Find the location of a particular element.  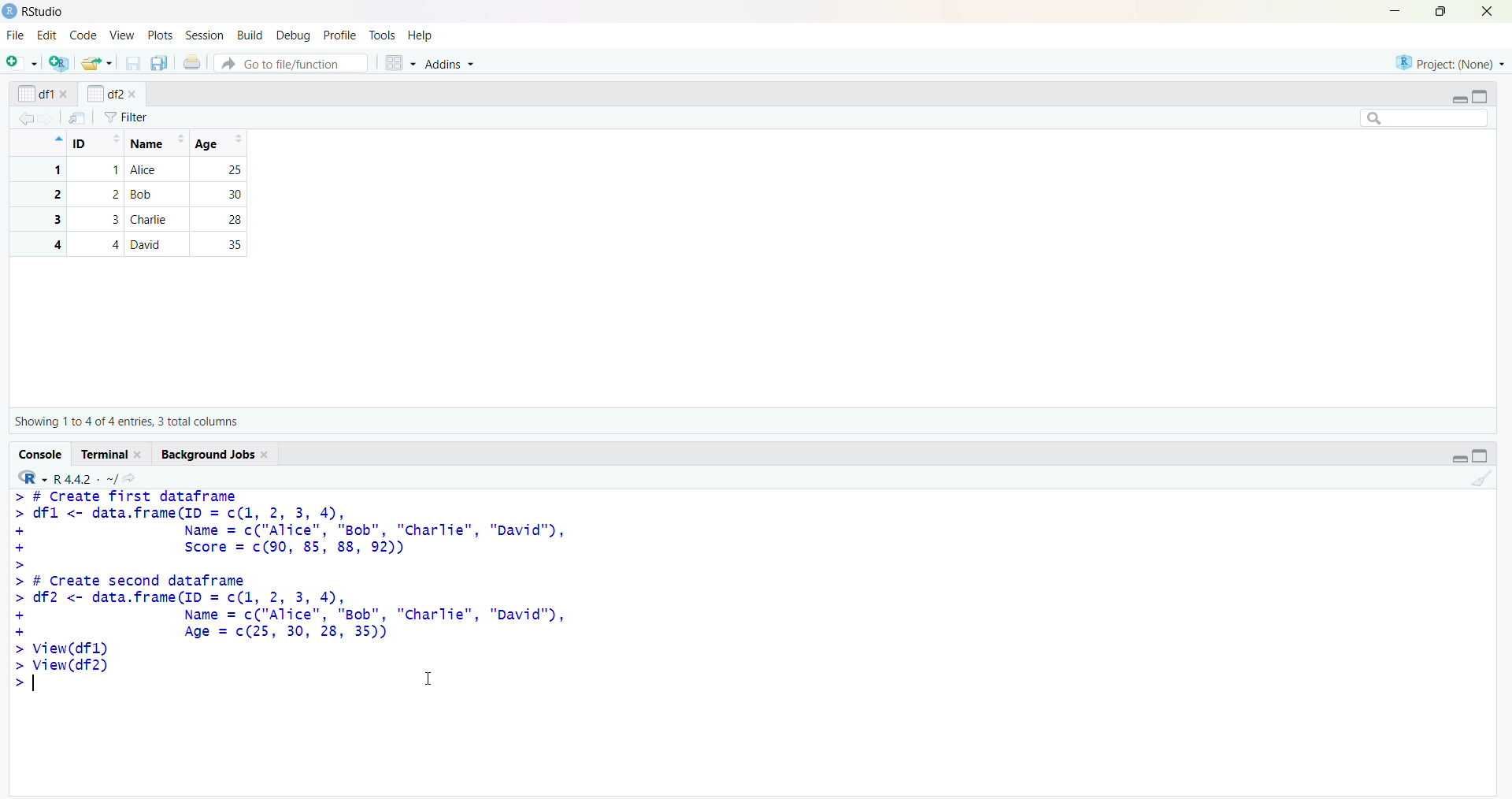

send is located at coordinates (78, 117).